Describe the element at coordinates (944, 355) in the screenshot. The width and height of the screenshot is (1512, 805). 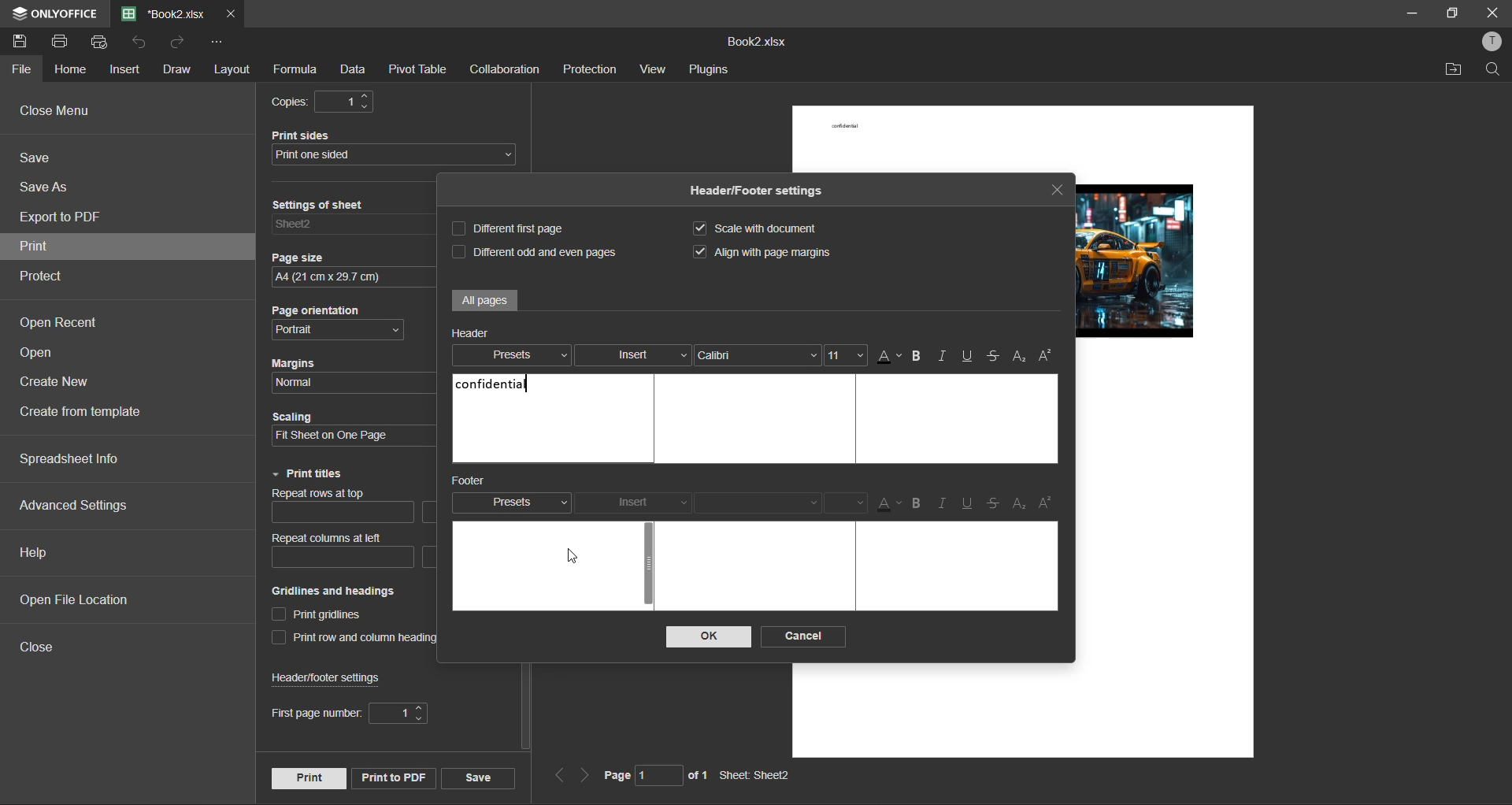
I see `italic` at that location.